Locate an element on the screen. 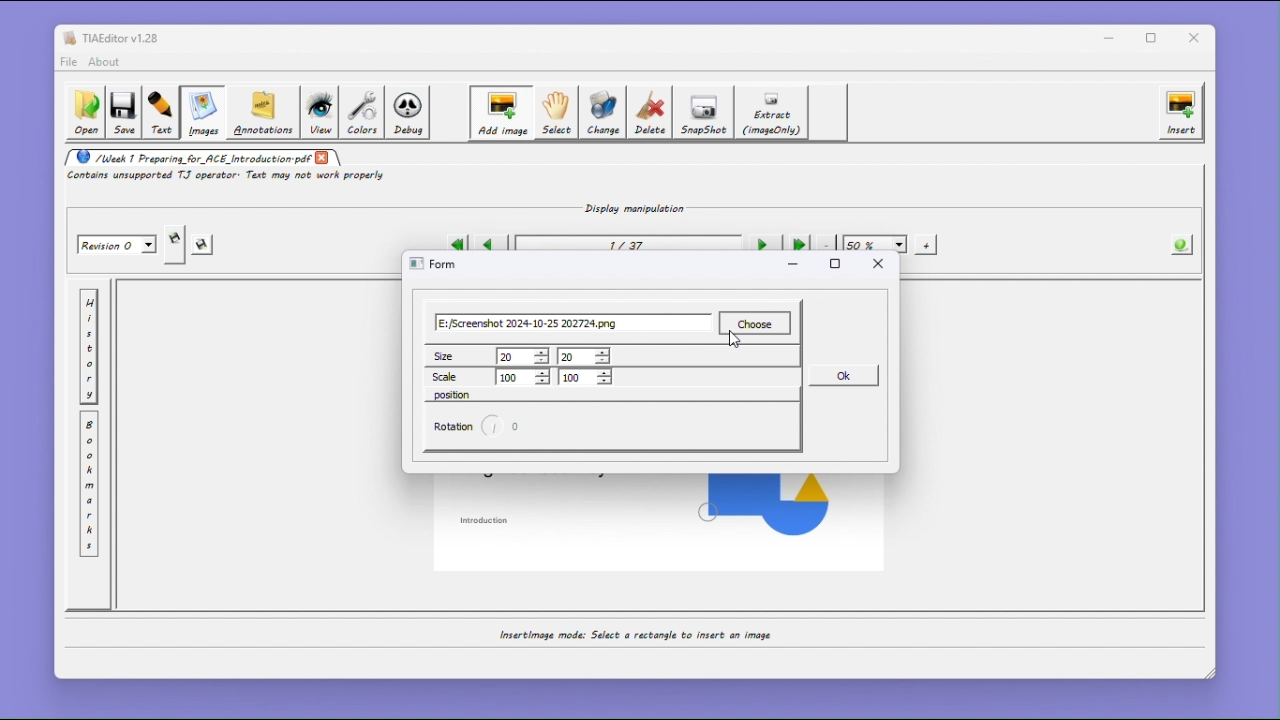 Image resolution: width=1280 pixels, height=720 pixels. - is located at coordinates (827, 243).